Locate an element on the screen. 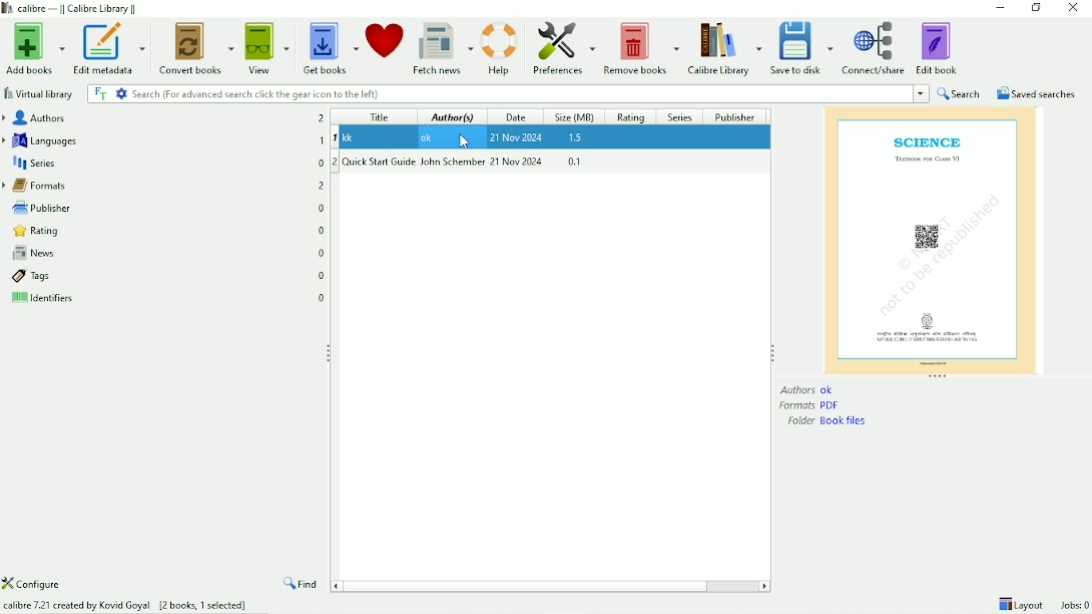  Restore down is located at coordinates (1036, 8).